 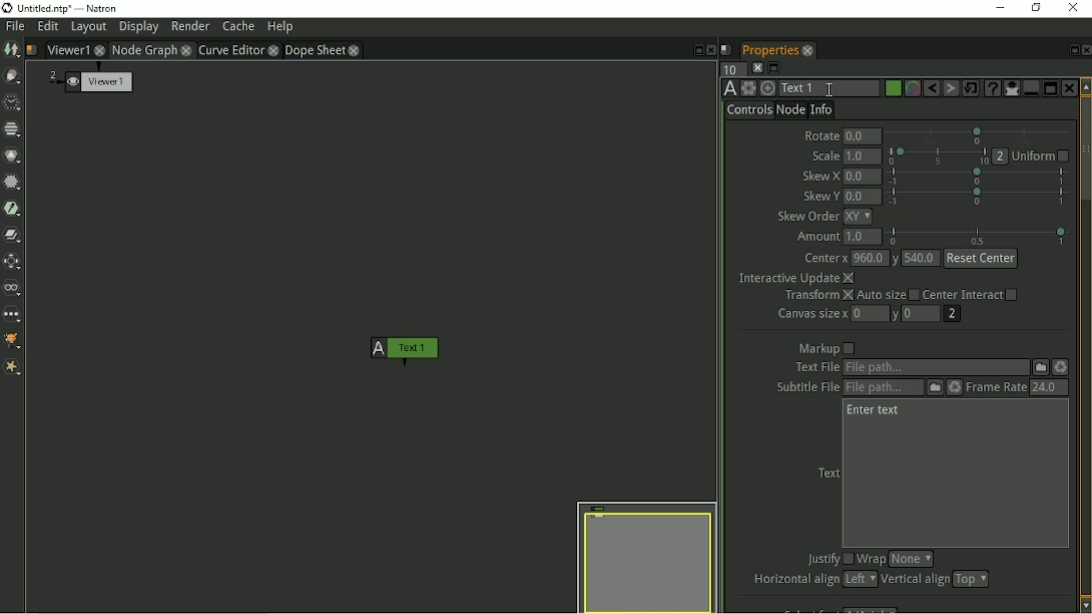 What do you see at coordinates (1064, 368) in the screenshot?
I see `Reload the file` at bounding box center [1064, 368].